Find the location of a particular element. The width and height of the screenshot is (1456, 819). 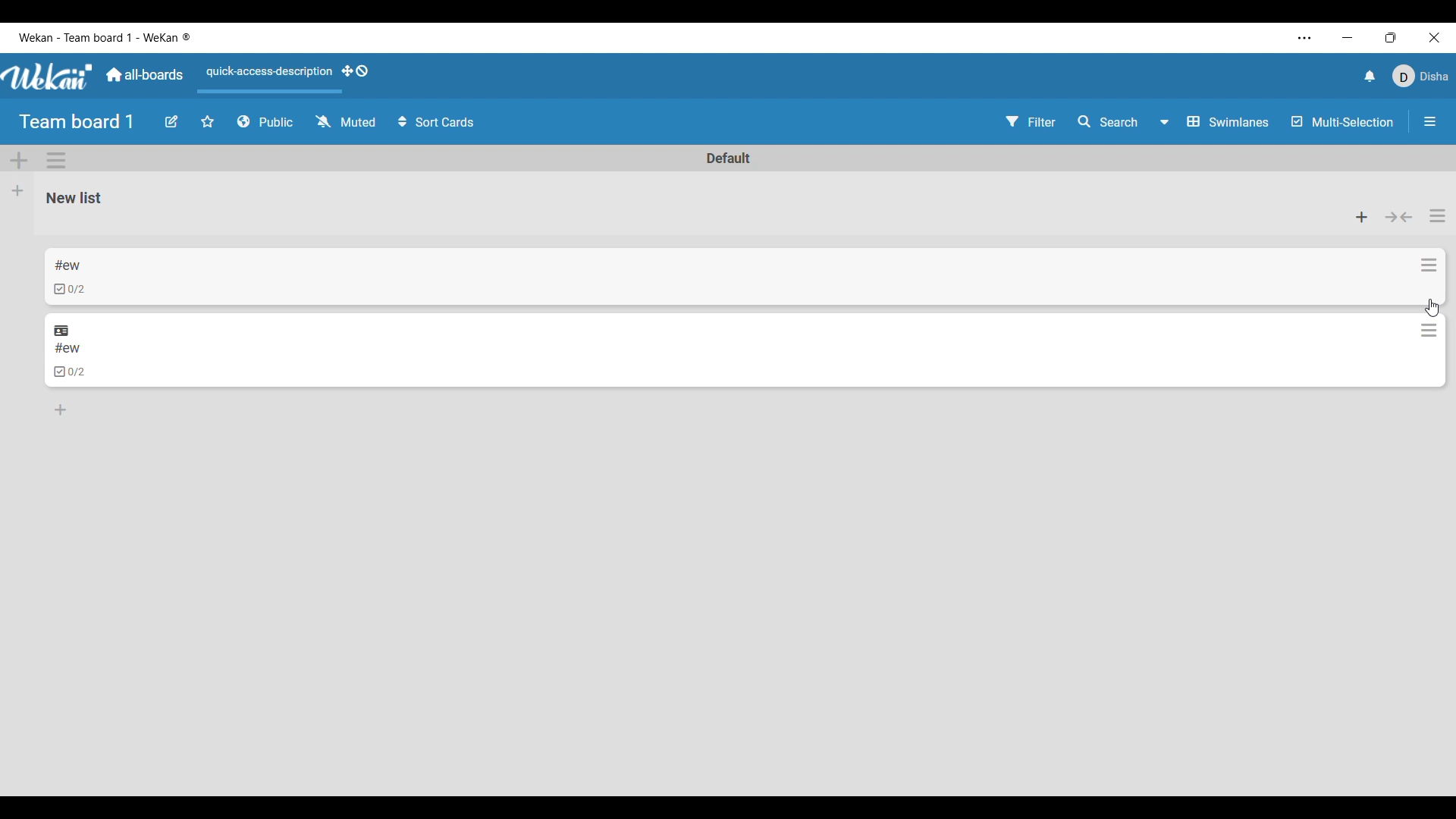

Quick access description is located at coordinates (266, 78).